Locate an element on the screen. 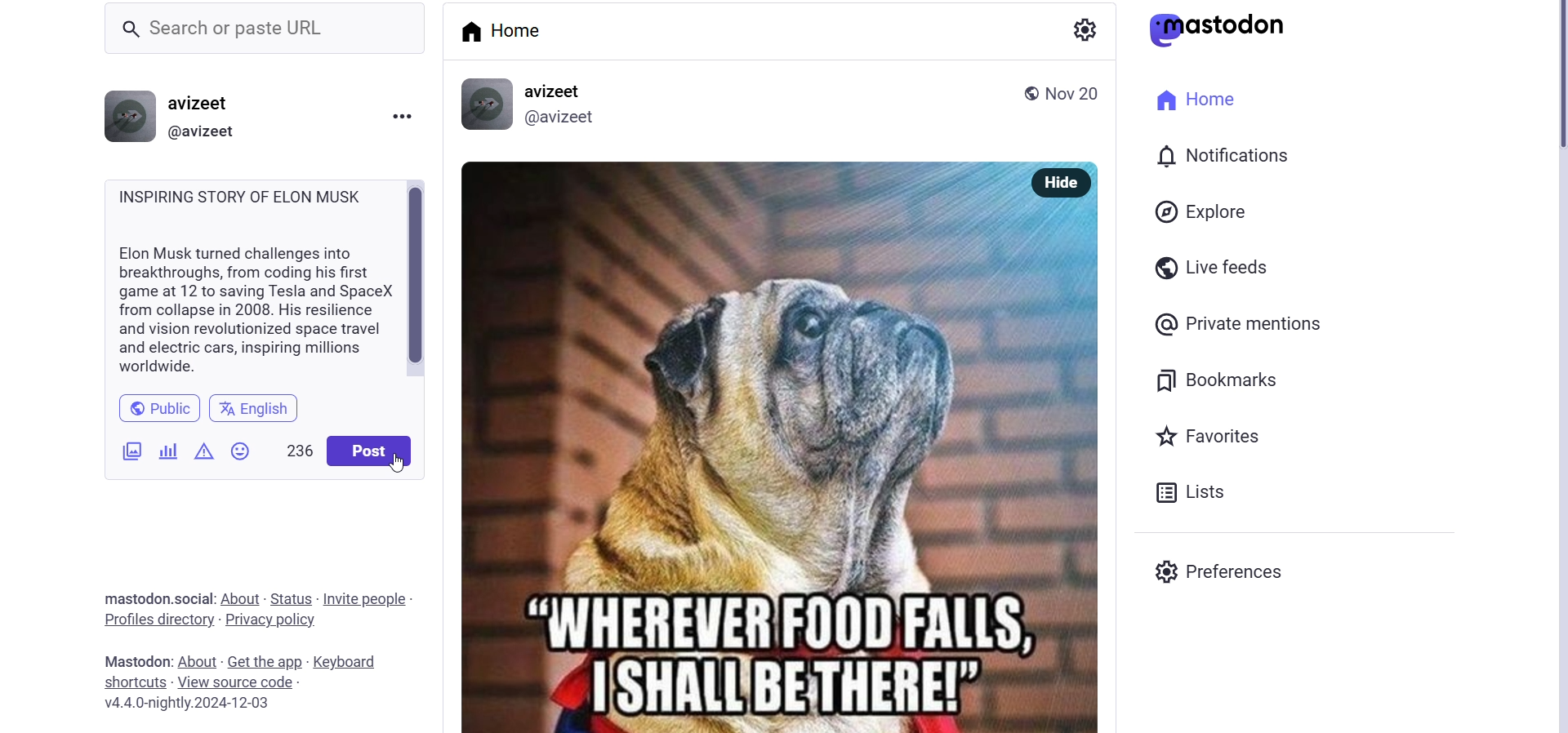 The height and width of the screenshot is (733, 1568). text is located at coordinates (132, 660).